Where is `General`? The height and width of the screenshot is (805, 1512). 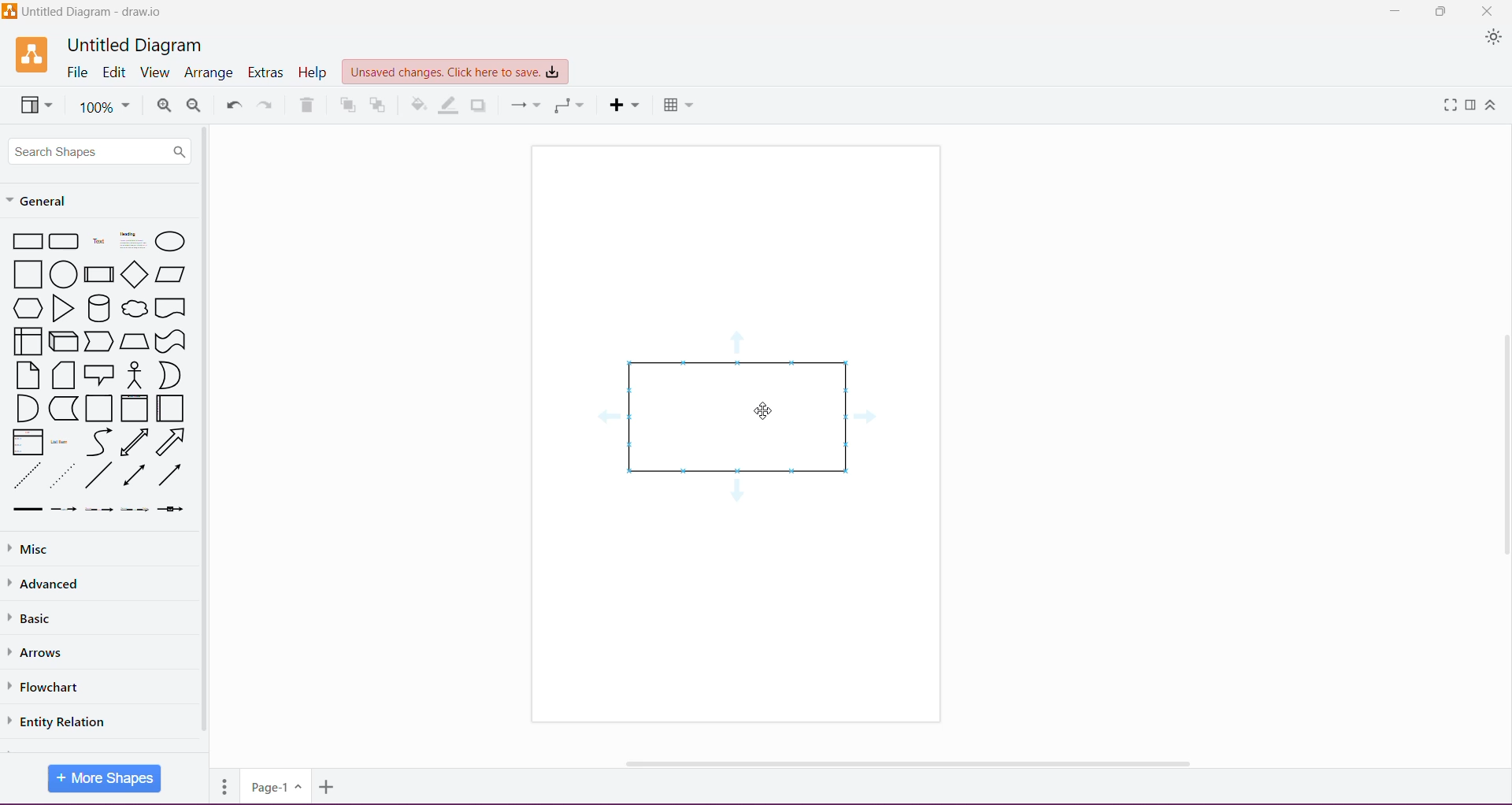
General is located at coordinates (53, 202).